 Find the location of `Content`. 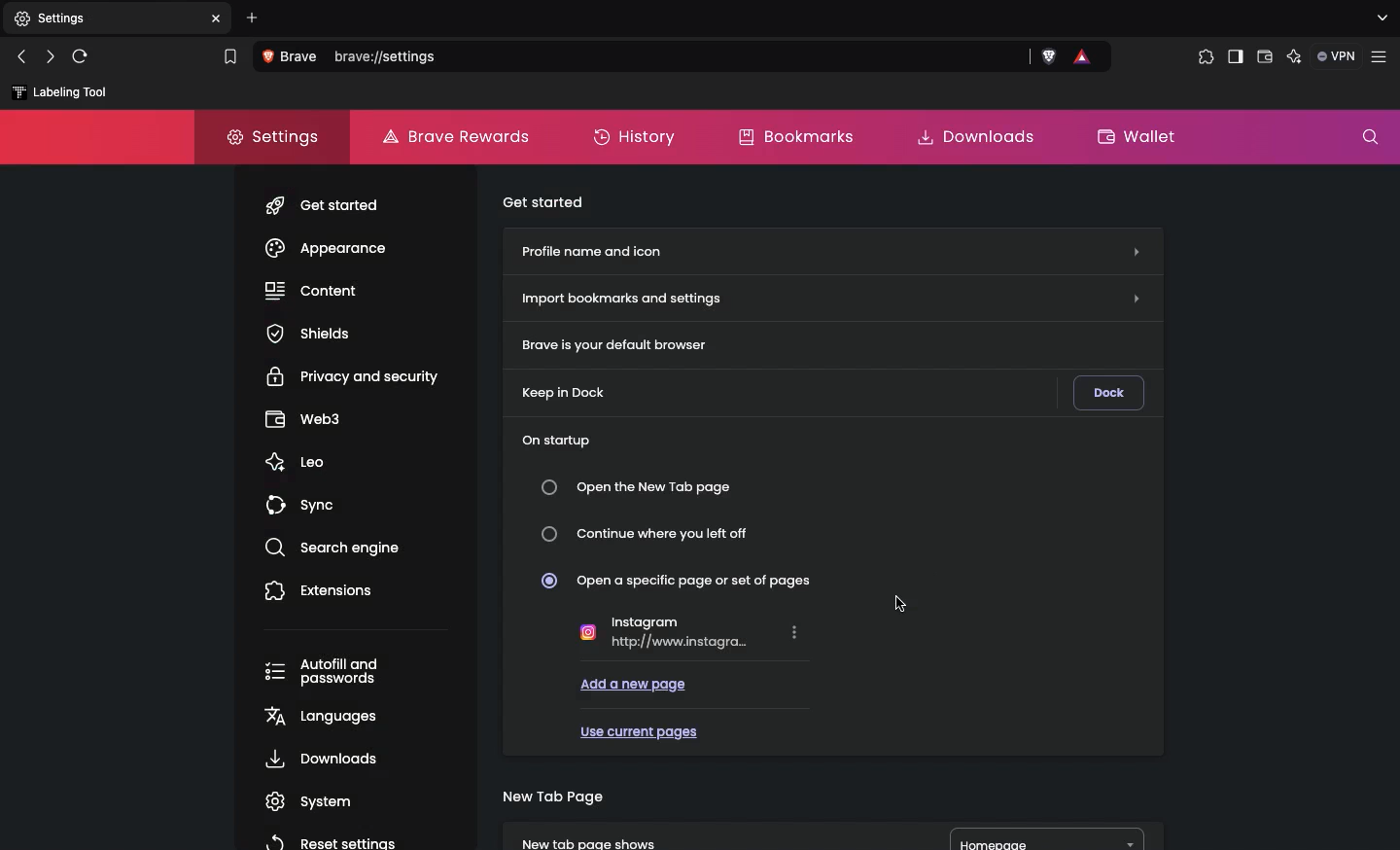

Content is located at coordinates (312, 289).